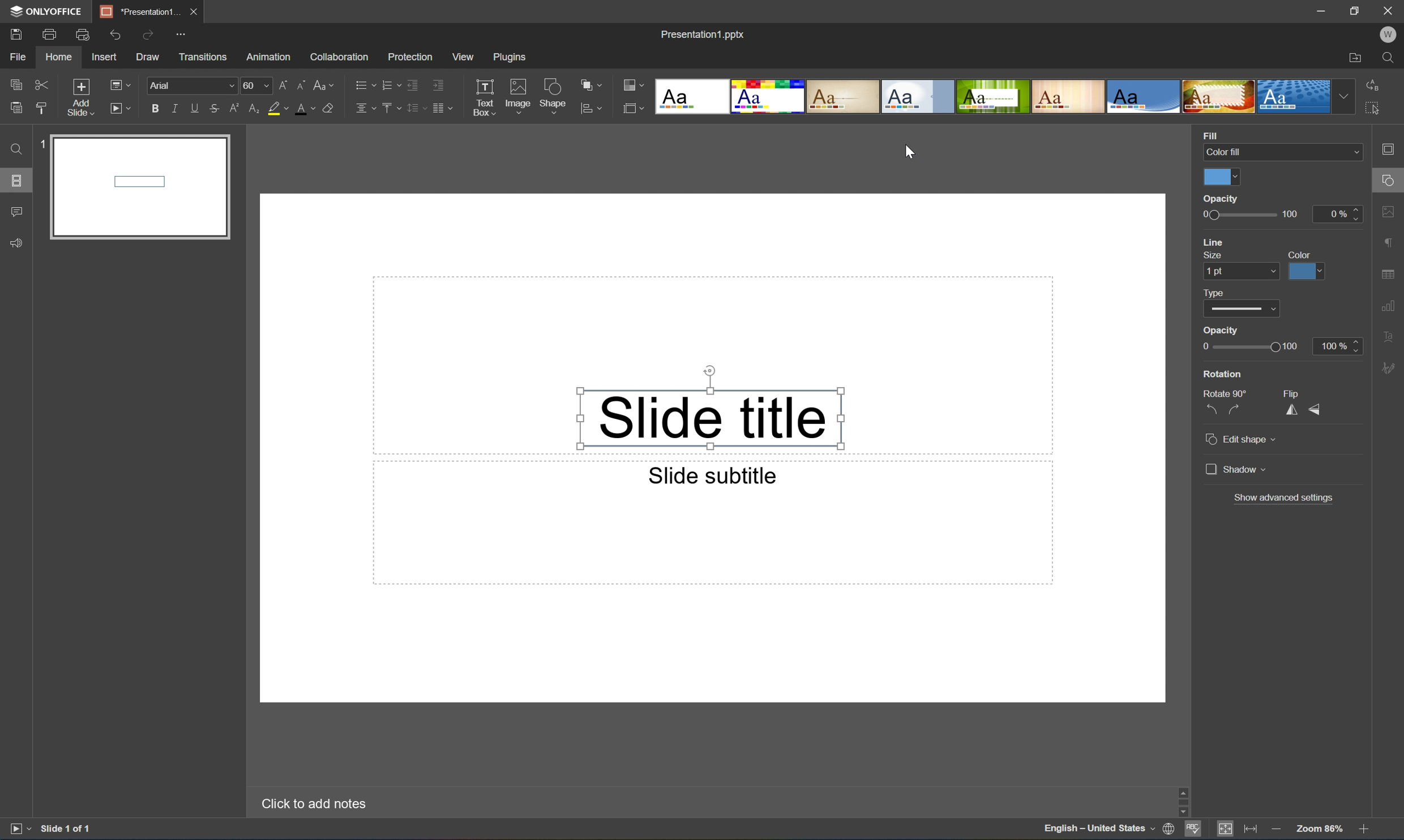 The image size is (1404, 840). What do you see at coordinates (1216, 242) in the screenshot?
I see `Line` at bounding box center [1216, 242].